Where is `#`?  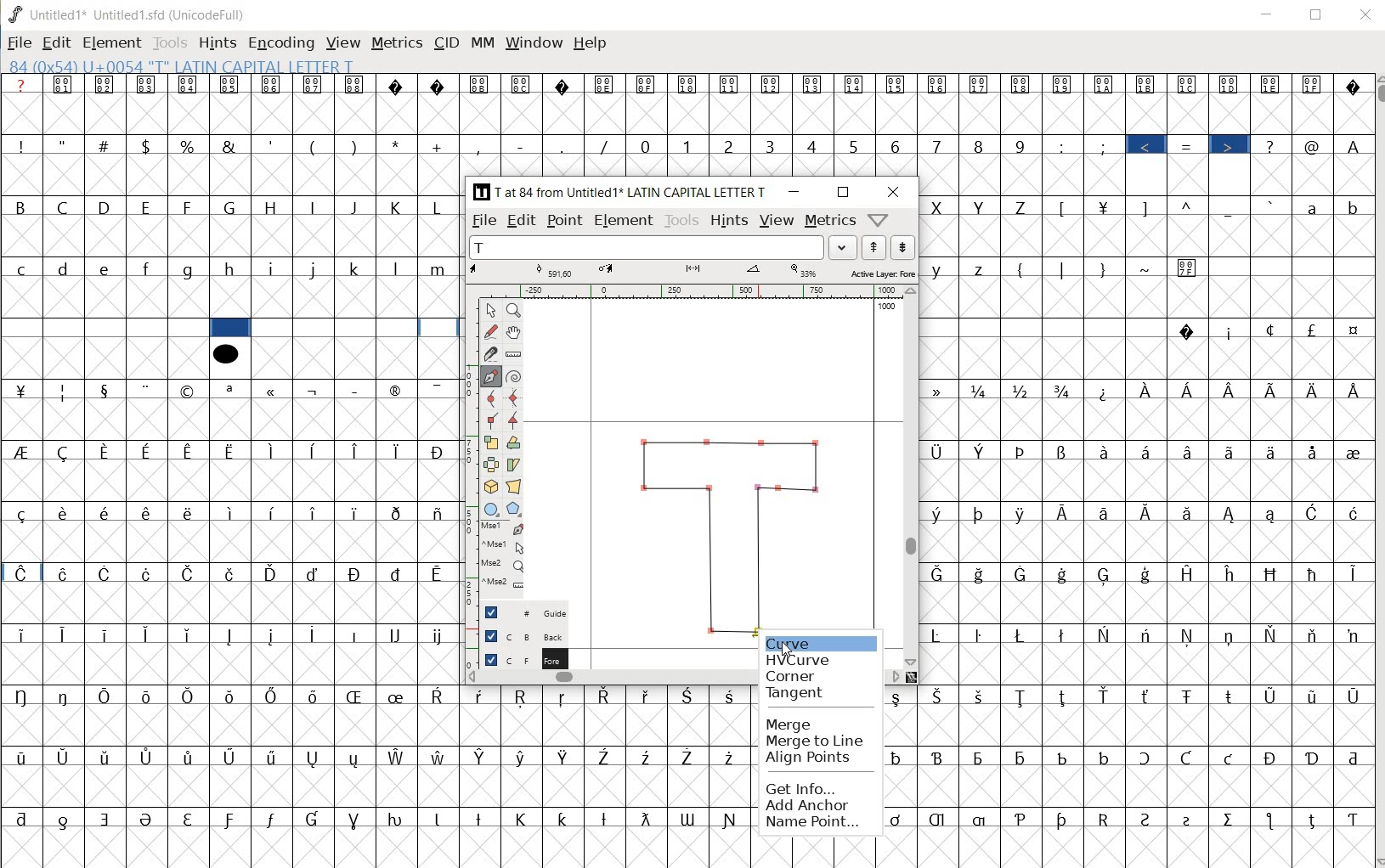
# is located at coordinates (105, 146).